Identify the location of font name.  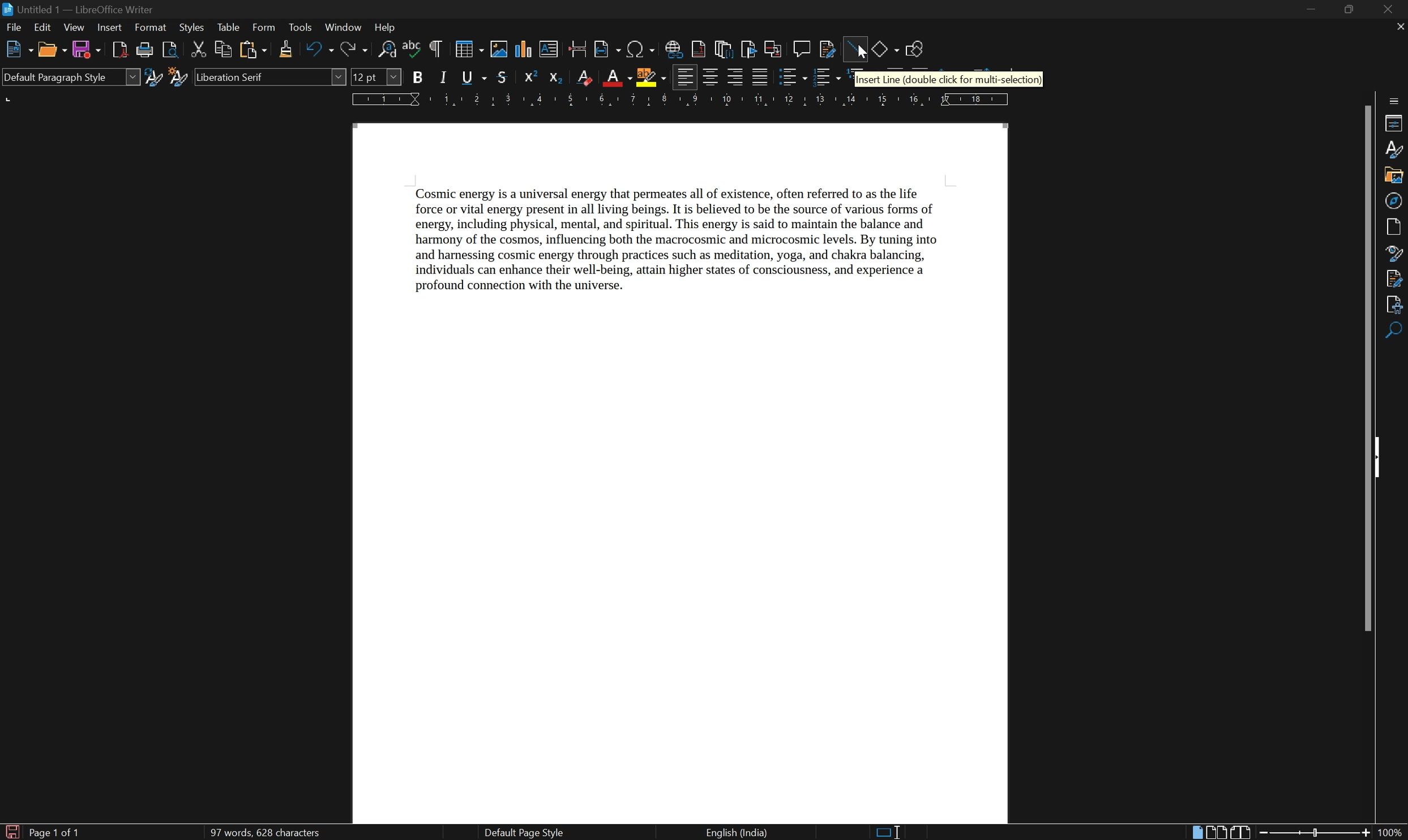
(269, 75).